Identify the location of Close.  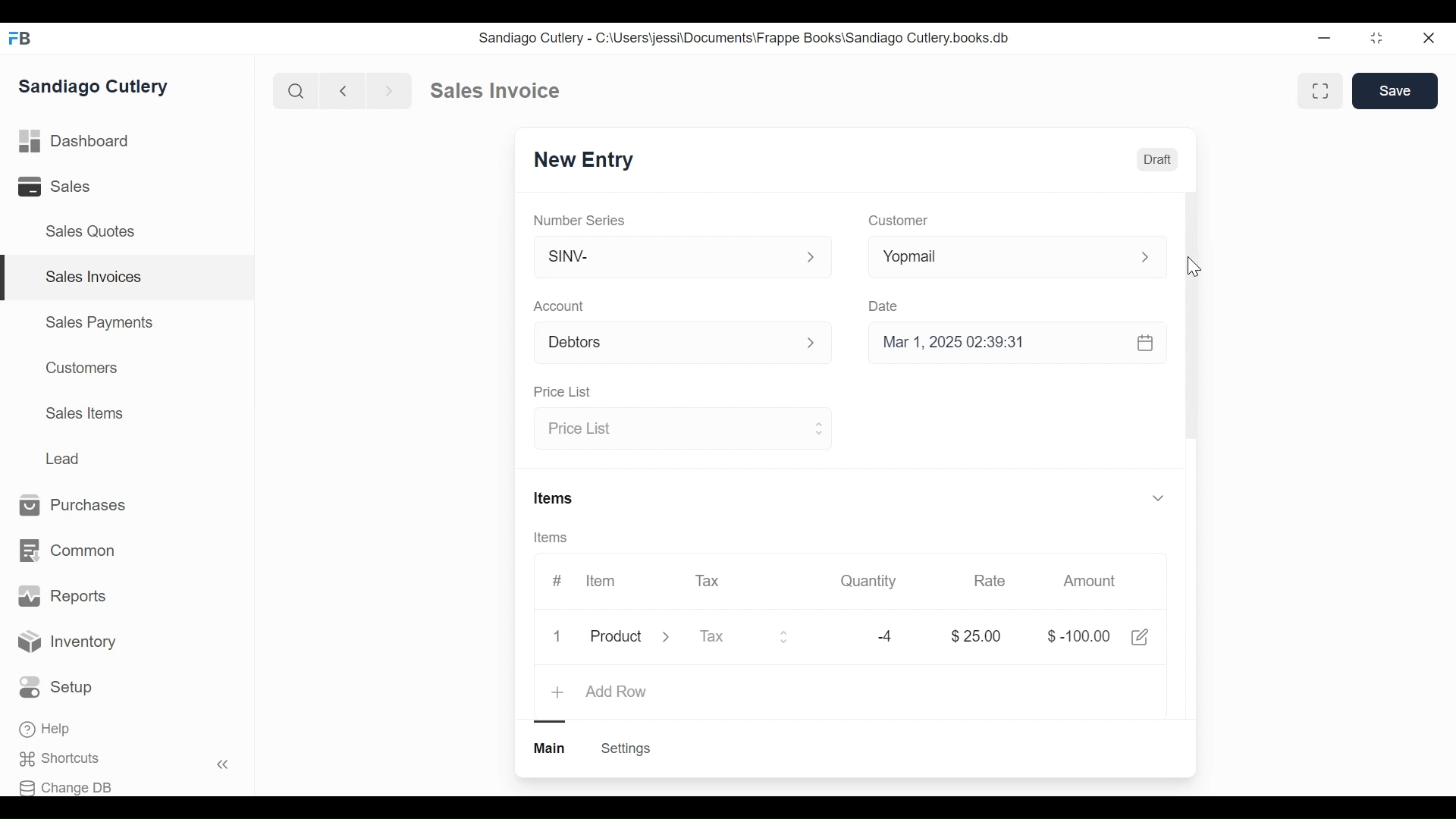
(1432, 39).